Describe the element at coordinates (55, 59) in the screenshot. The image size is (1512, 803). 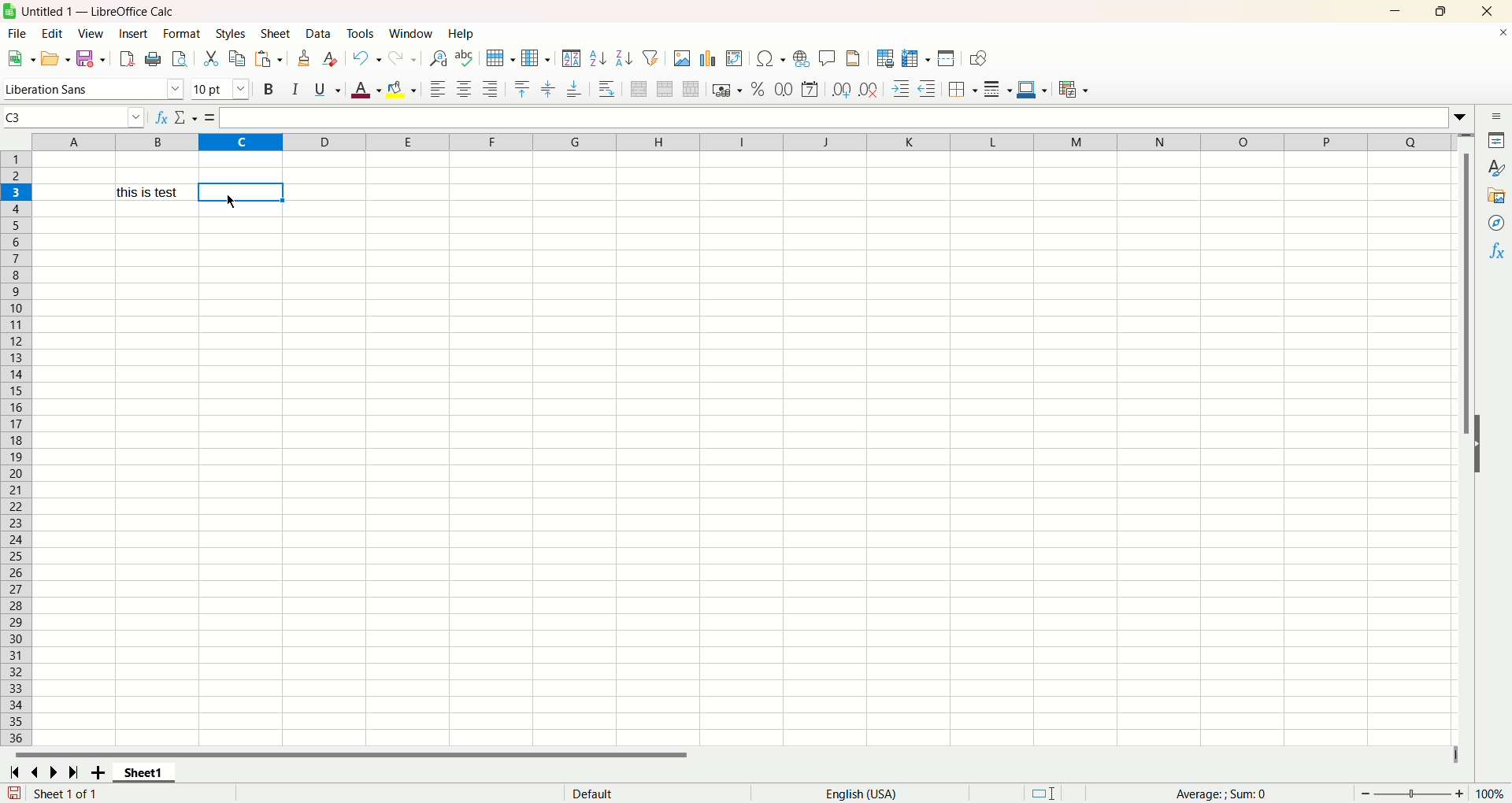
I see `open` at that location.